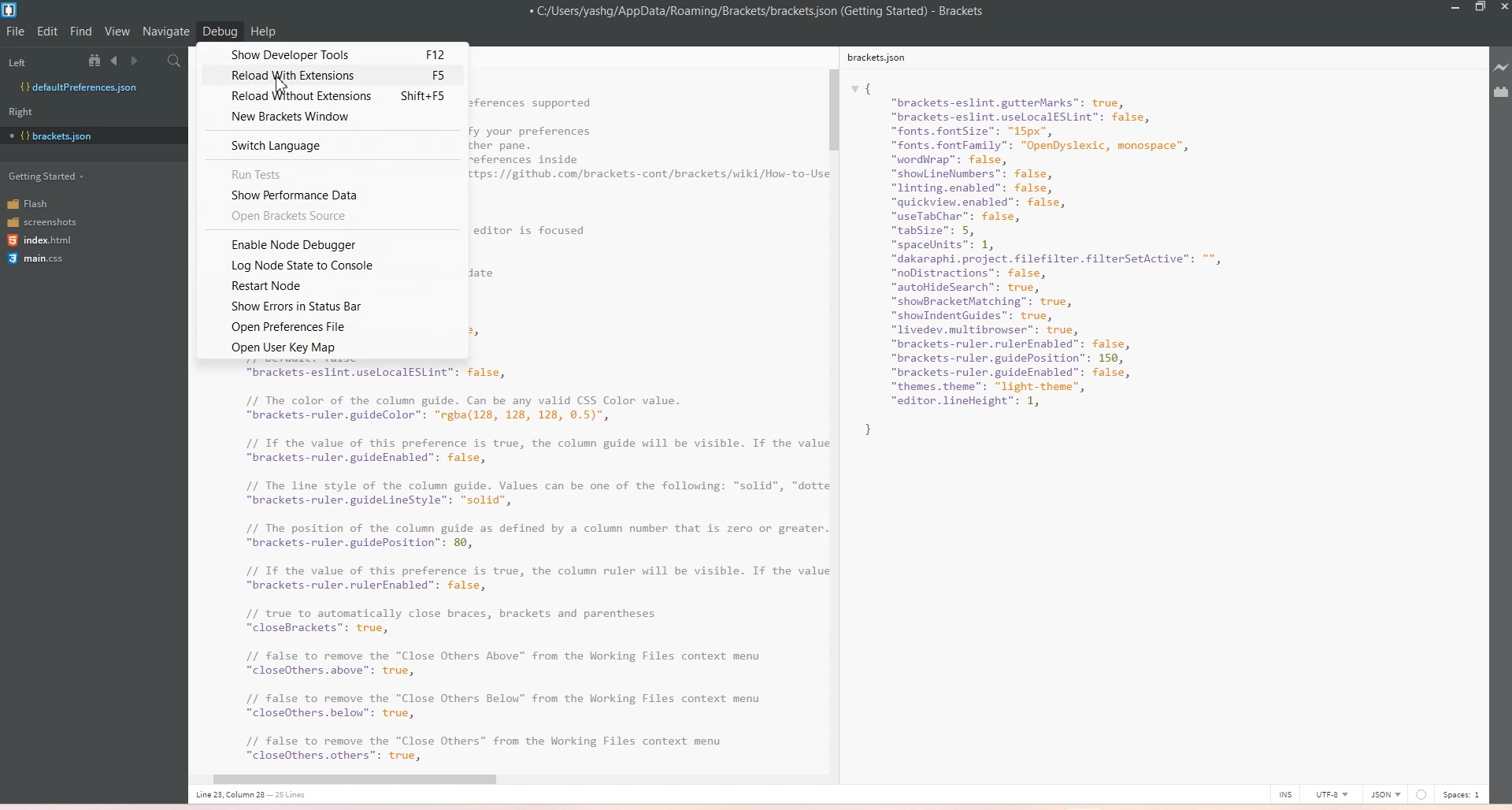  What do you see at coordinates (328, 265) in the screenshot?
I see `Log node state to console` at bounding box center [328, 265].